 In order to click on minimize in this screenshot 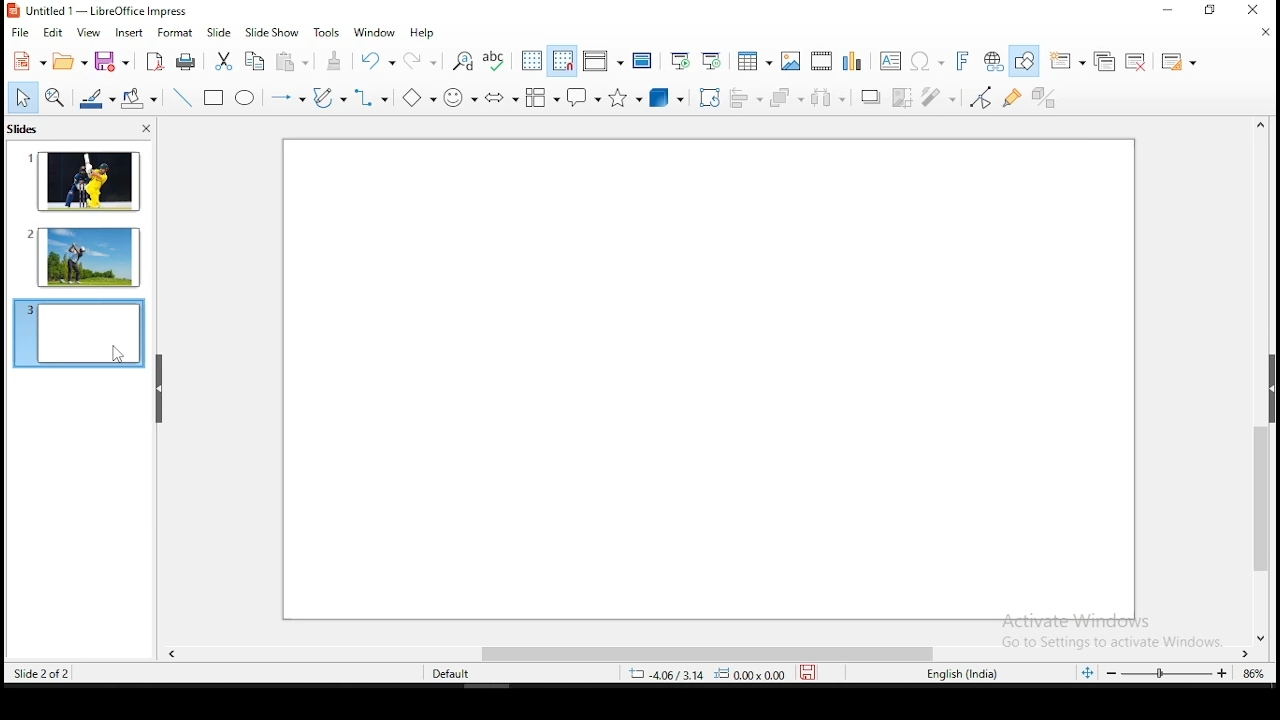, I will do `click(1172, 10)`.